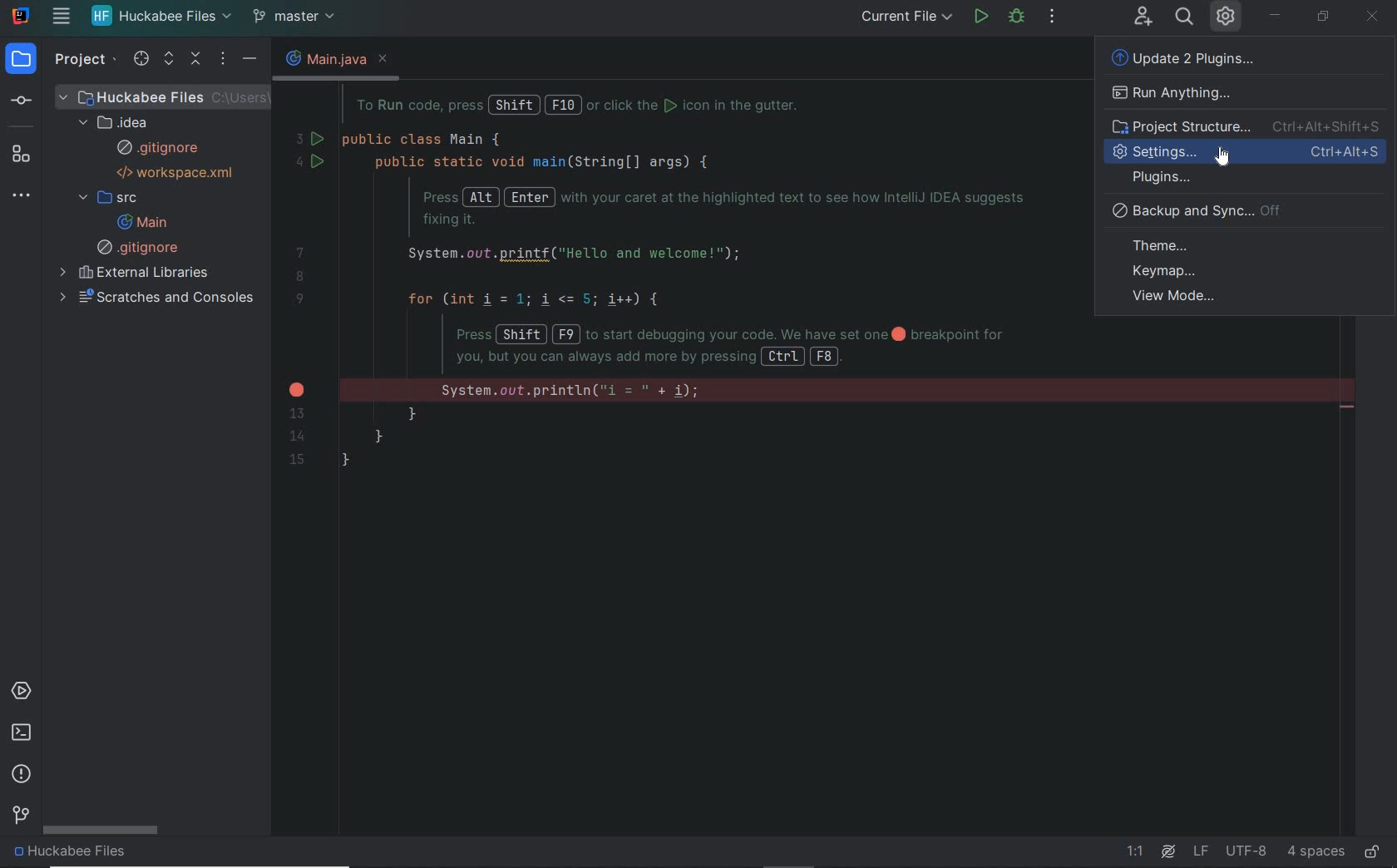  What do you see at coordinates (1172, 95) in the screenshot?
I see `Run Anything` at bounding box center [1172, 95].